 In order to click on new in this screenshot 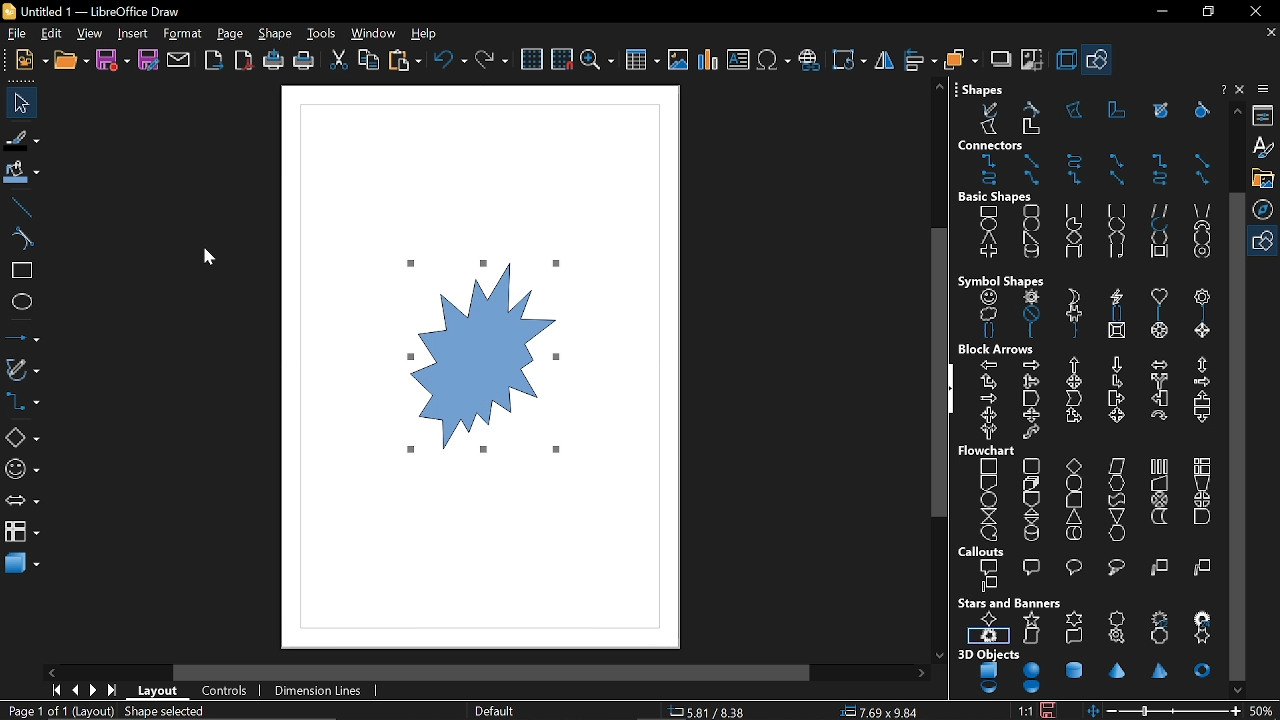, I will do `click(31, 61)`.